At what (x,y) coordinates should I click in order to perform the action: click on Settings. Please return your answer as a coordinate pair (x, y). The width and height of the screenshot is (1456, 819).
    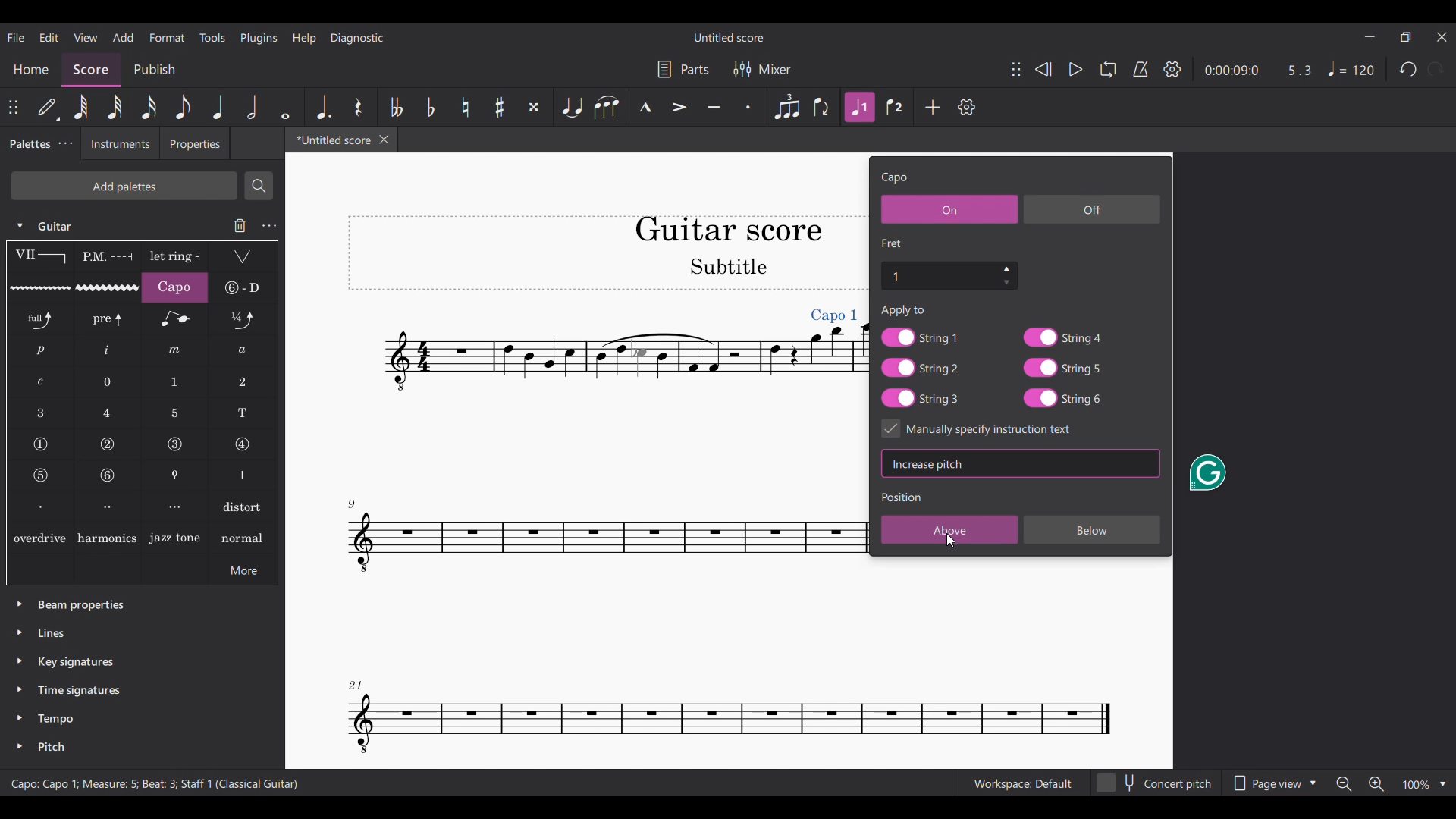
    Looking at the image, I should click on (1172, 69).